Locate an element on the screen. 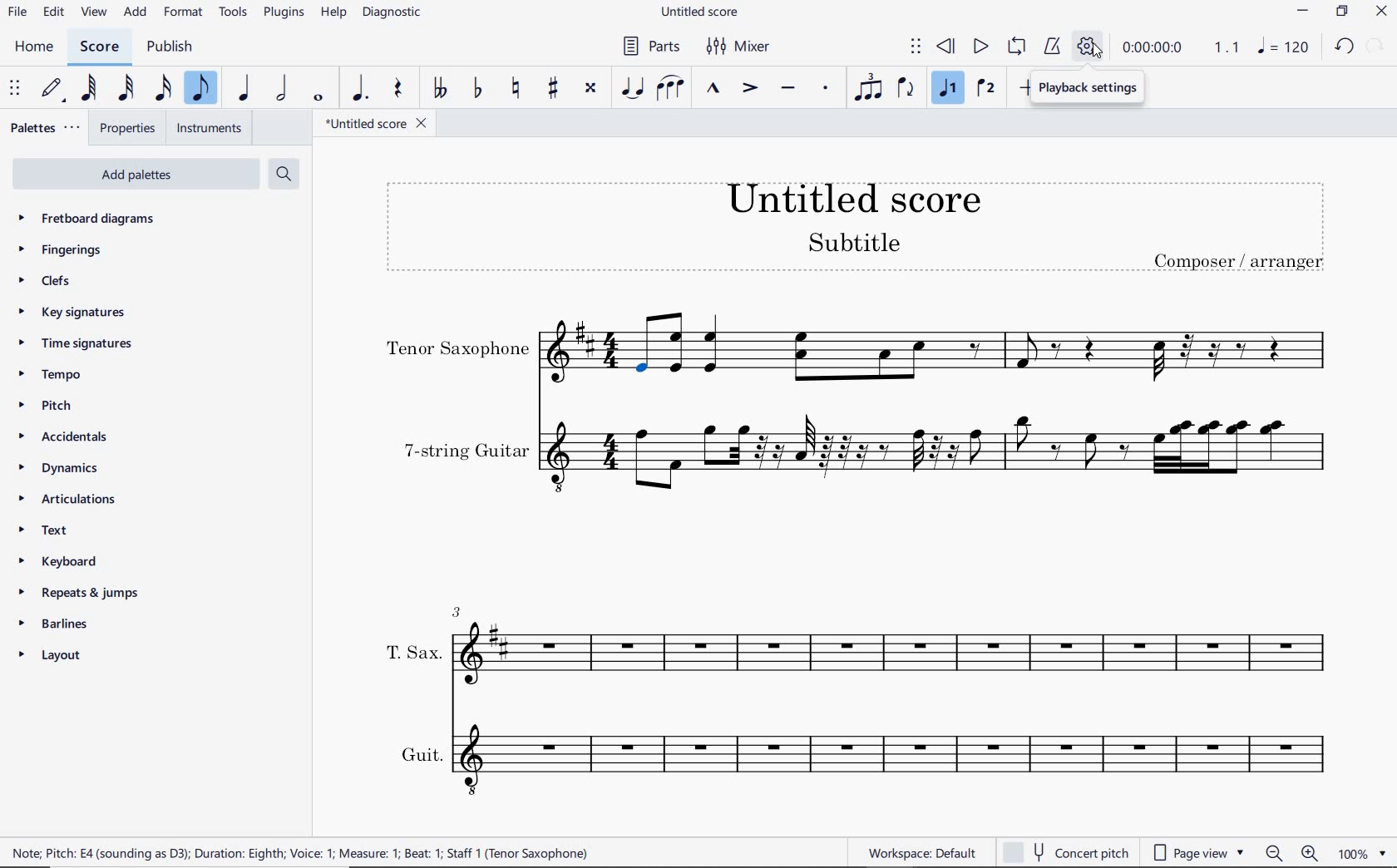 The width and height of the screenshot is (1397, 868). TOOLS is located at coordinates (234, 13).